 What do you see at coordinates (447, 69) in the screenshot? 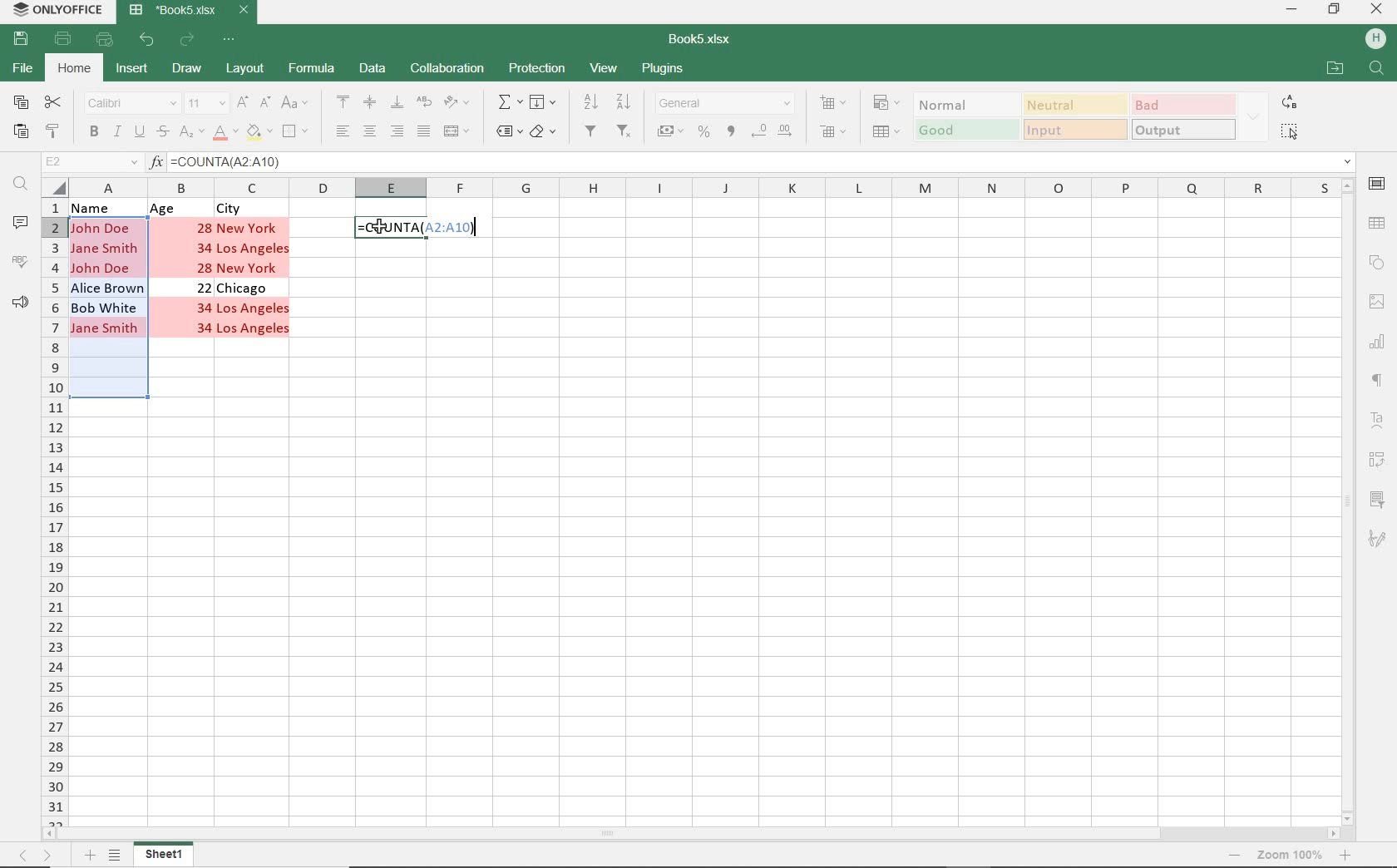
I see `COLLABORATION` at bounding box center [447, 69].